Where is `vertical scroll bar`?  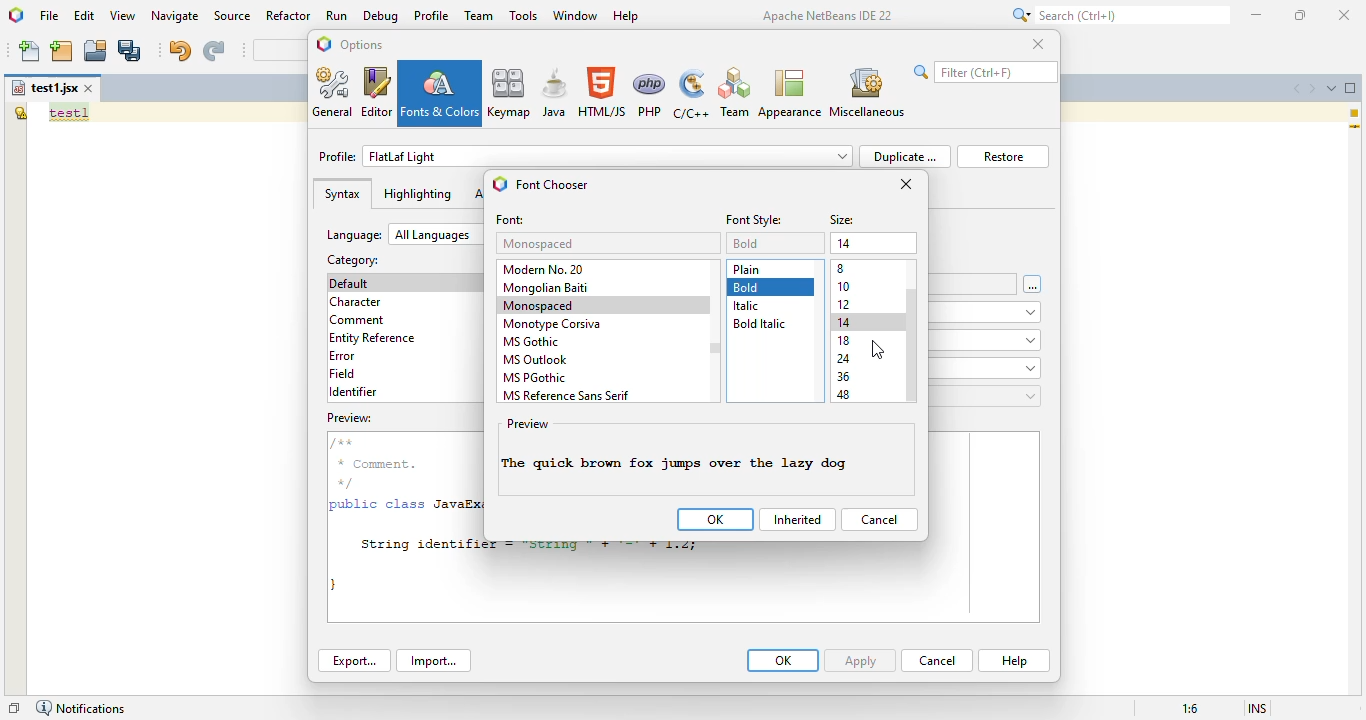
vertical scroll bar is located at coordinates (715, 347).